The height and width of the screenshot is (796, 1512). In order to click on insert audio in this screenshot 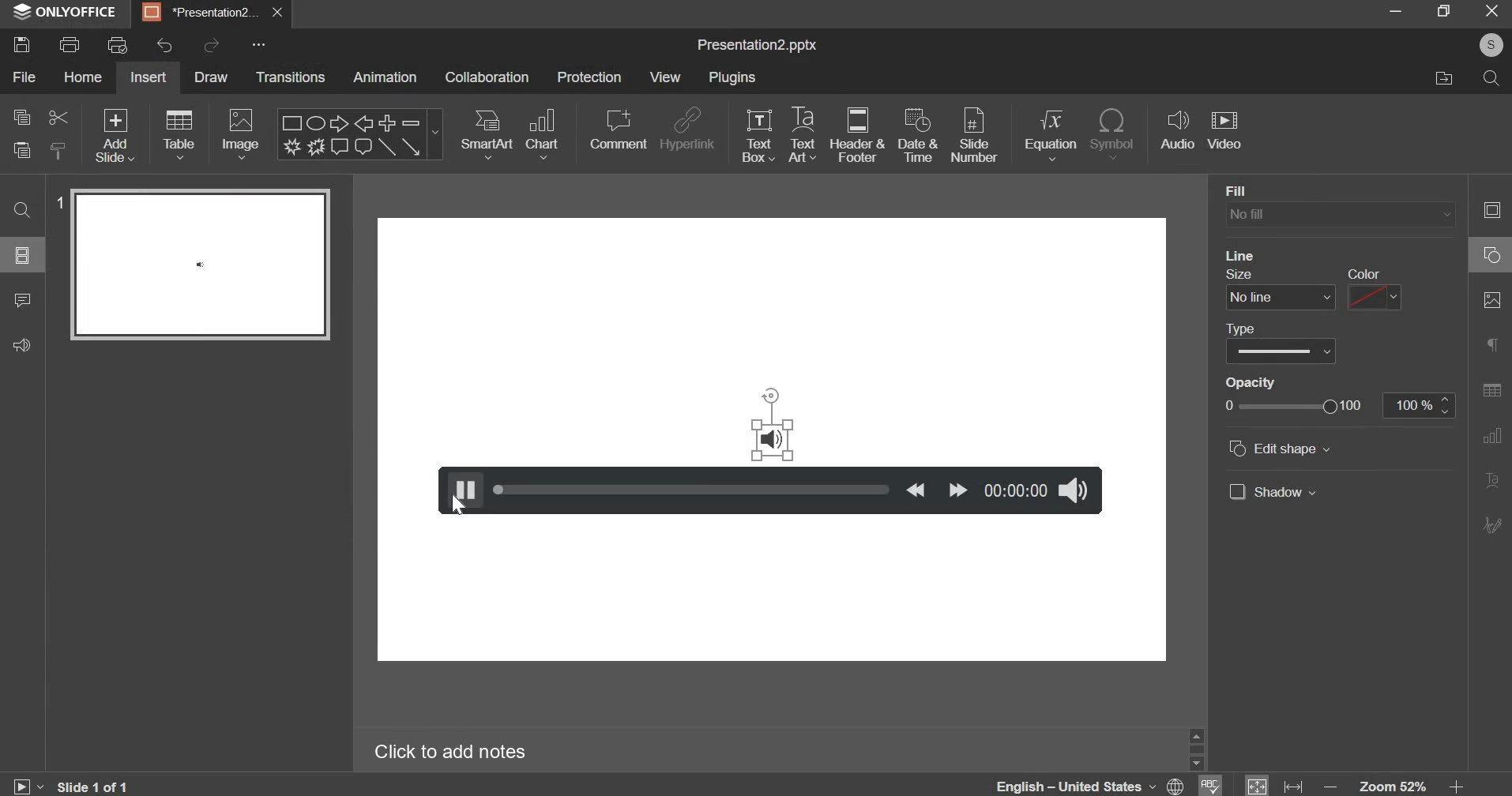, I will do `click(1179, 132)`.